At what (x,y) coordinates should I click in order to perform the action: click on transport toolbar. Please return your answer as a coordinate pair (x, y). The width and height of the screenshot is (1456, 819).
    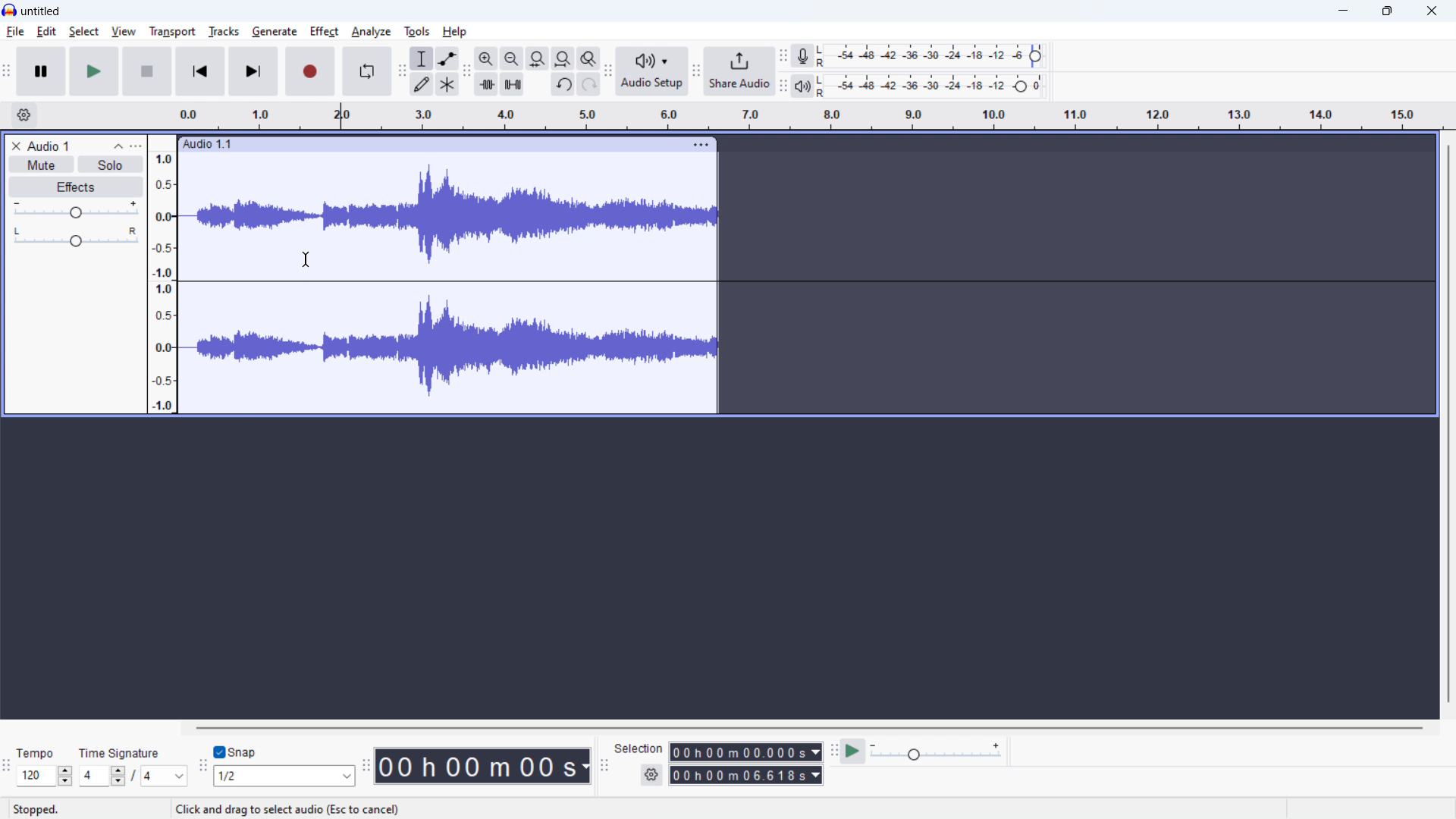
    Looking at the image, I should click on (7, 74).